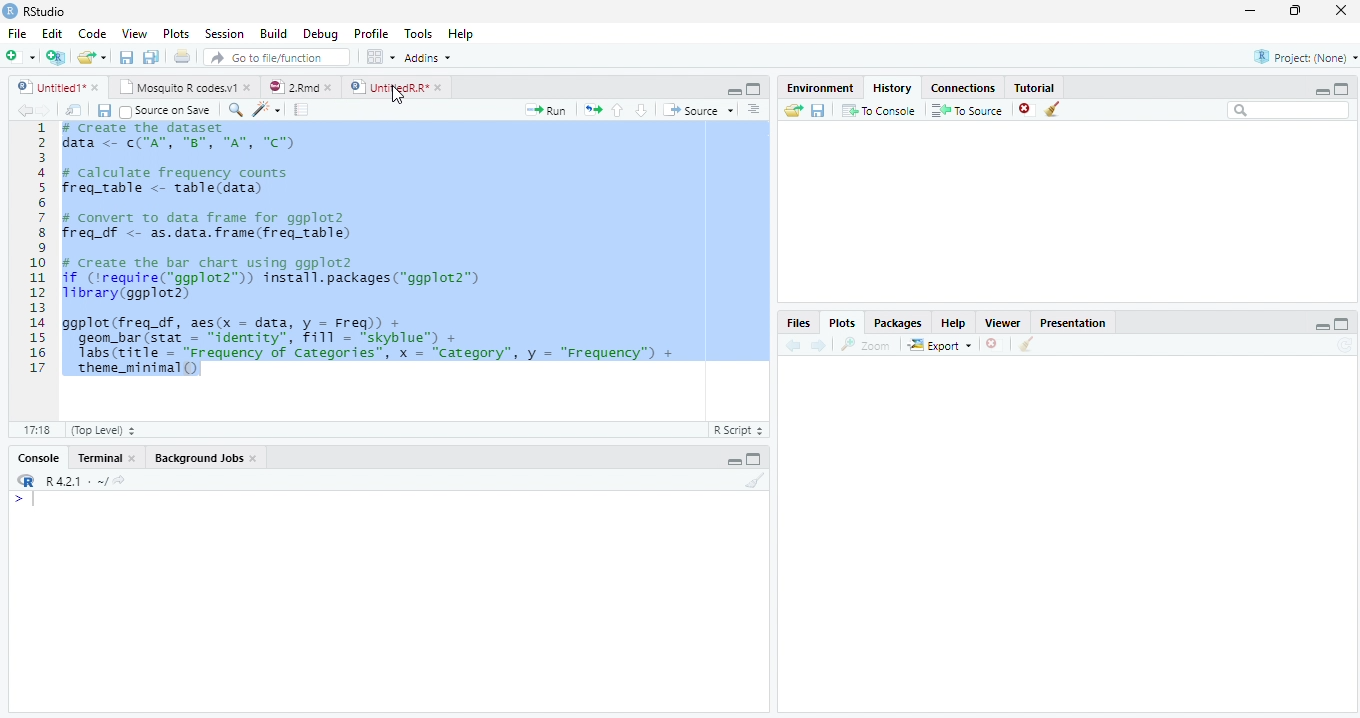  Describe the element at coordinates (104, 110) in the screenshot. I see `Save` at that location.